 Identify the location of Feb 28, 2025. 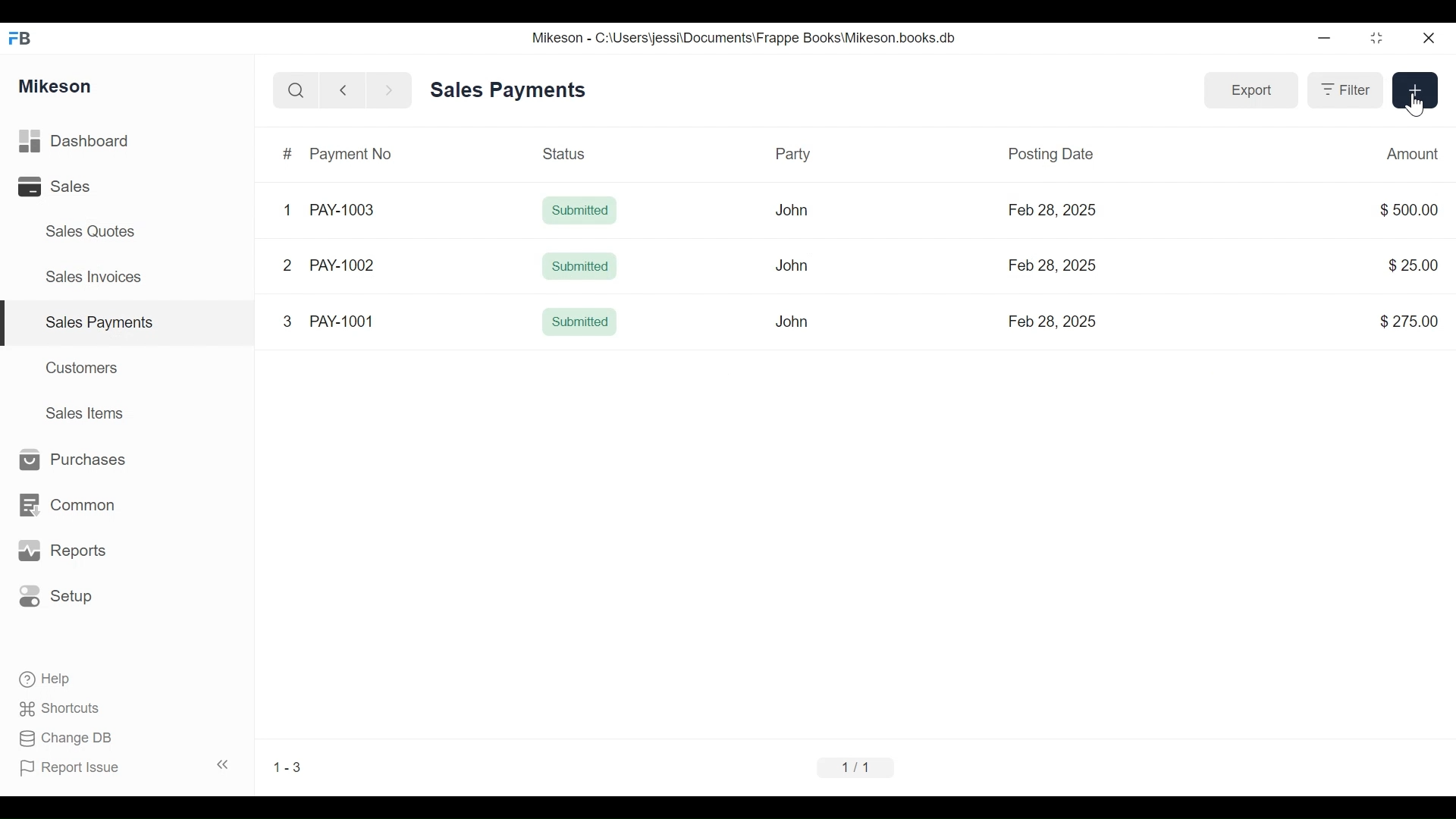
(1055, 266).